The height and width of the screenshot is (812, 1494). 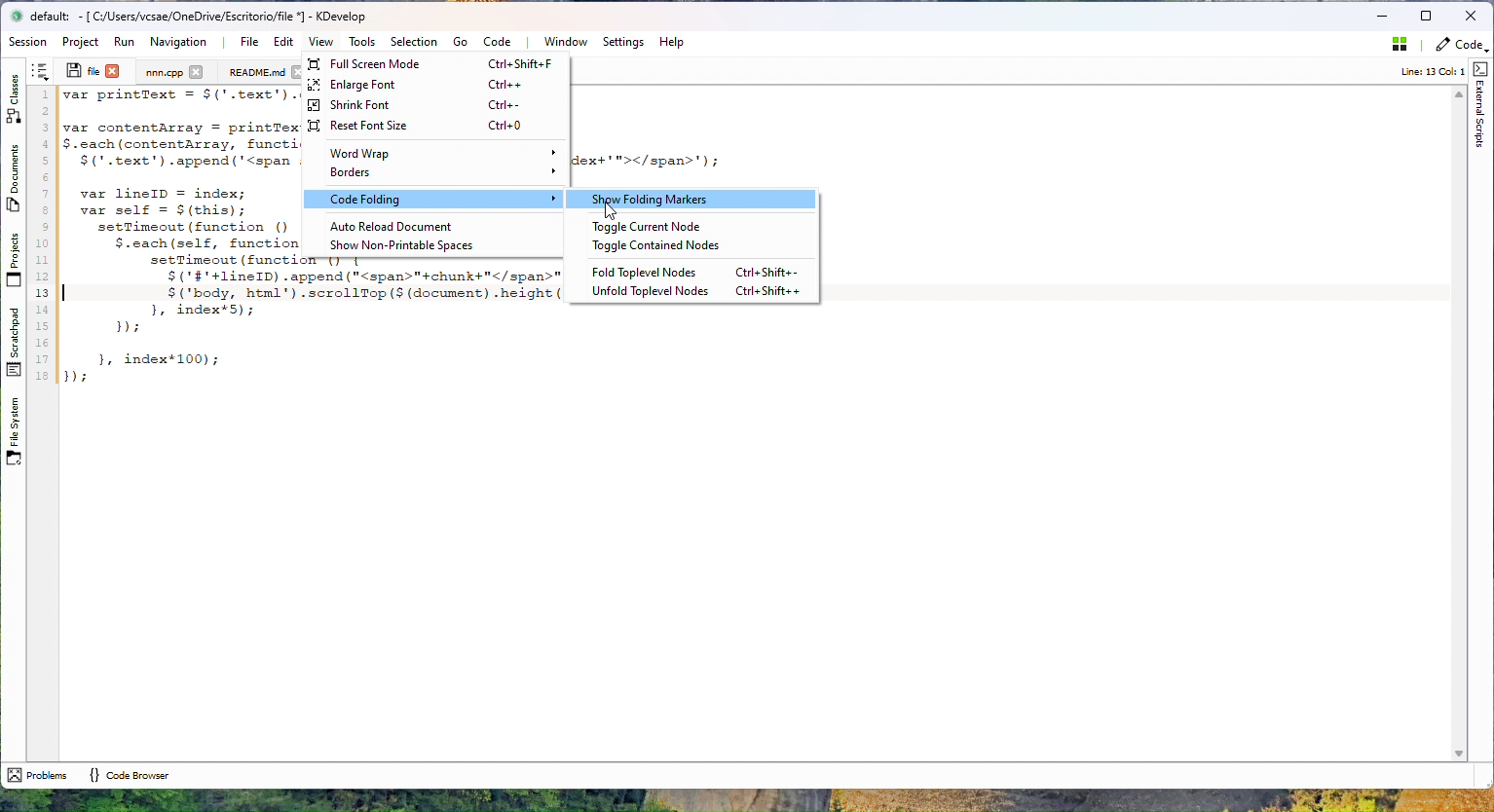 I want to click on code, so click(x=179, y=238).